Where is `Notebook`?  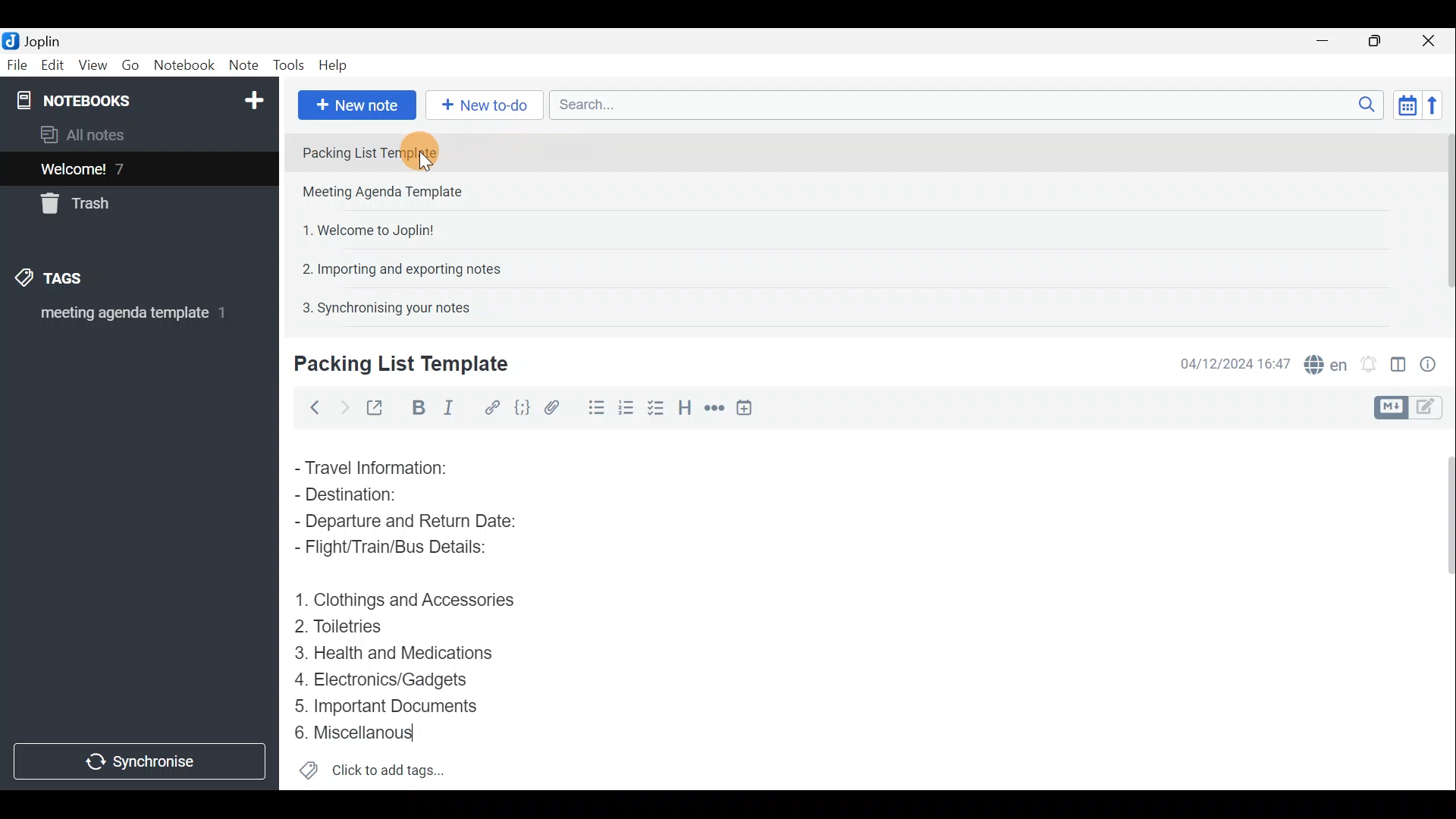
Notebook is located at coordinates (137, 99).